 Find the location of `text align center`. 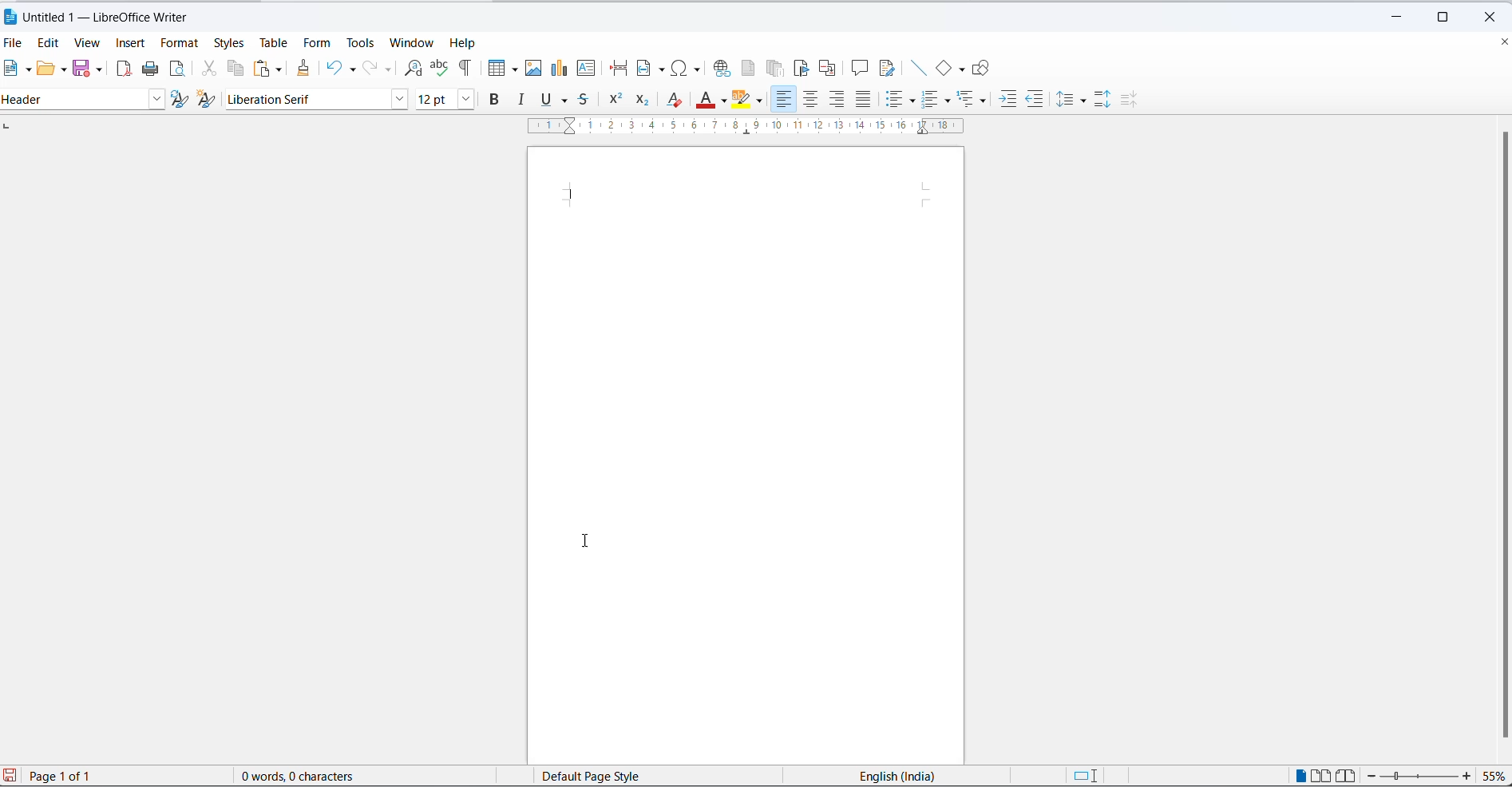

text align center is located at coordinates (809, 100).